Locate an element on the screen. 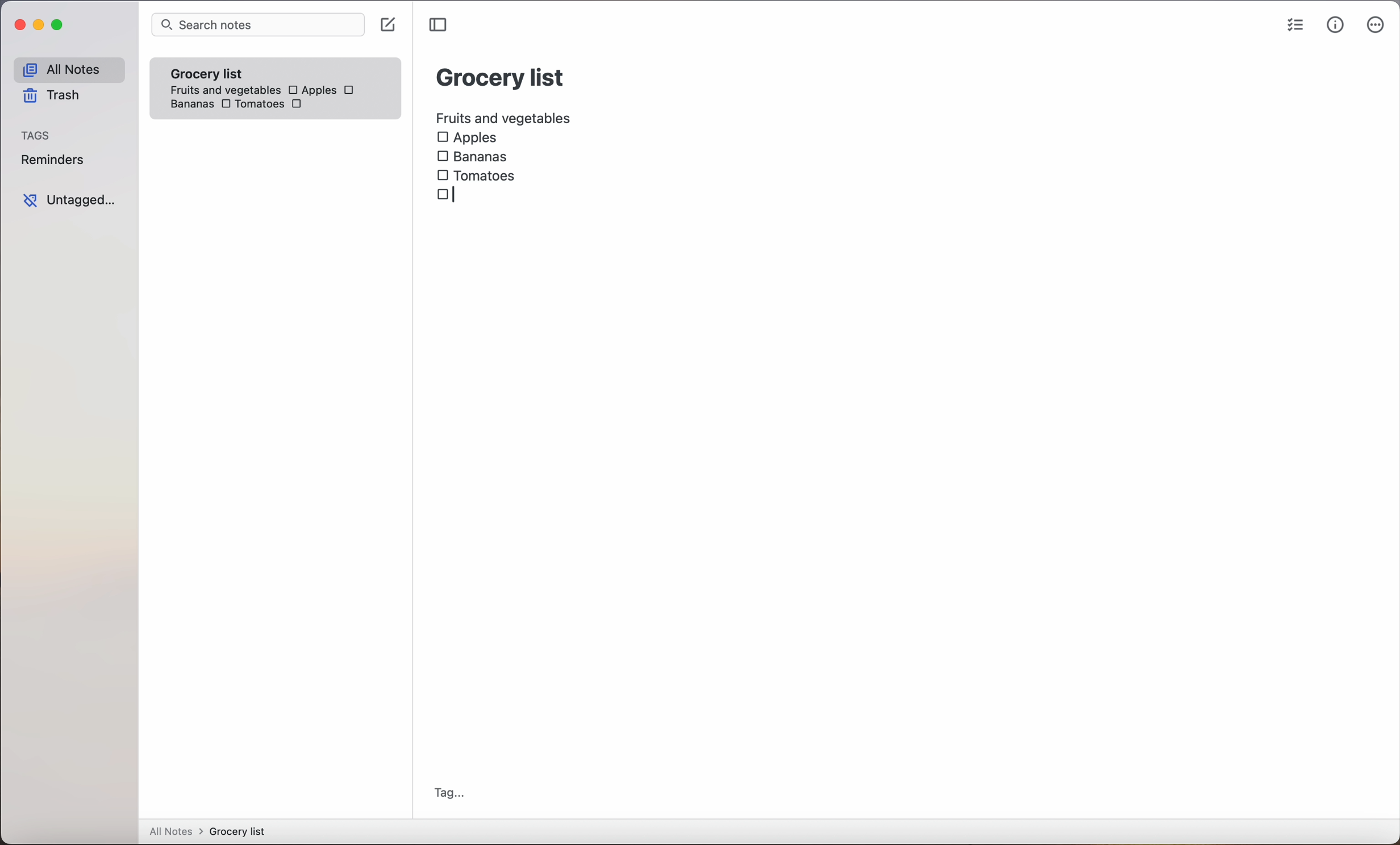 This screenshot has width=1400, height=845. click on create note is located at coordinates (390, 26).